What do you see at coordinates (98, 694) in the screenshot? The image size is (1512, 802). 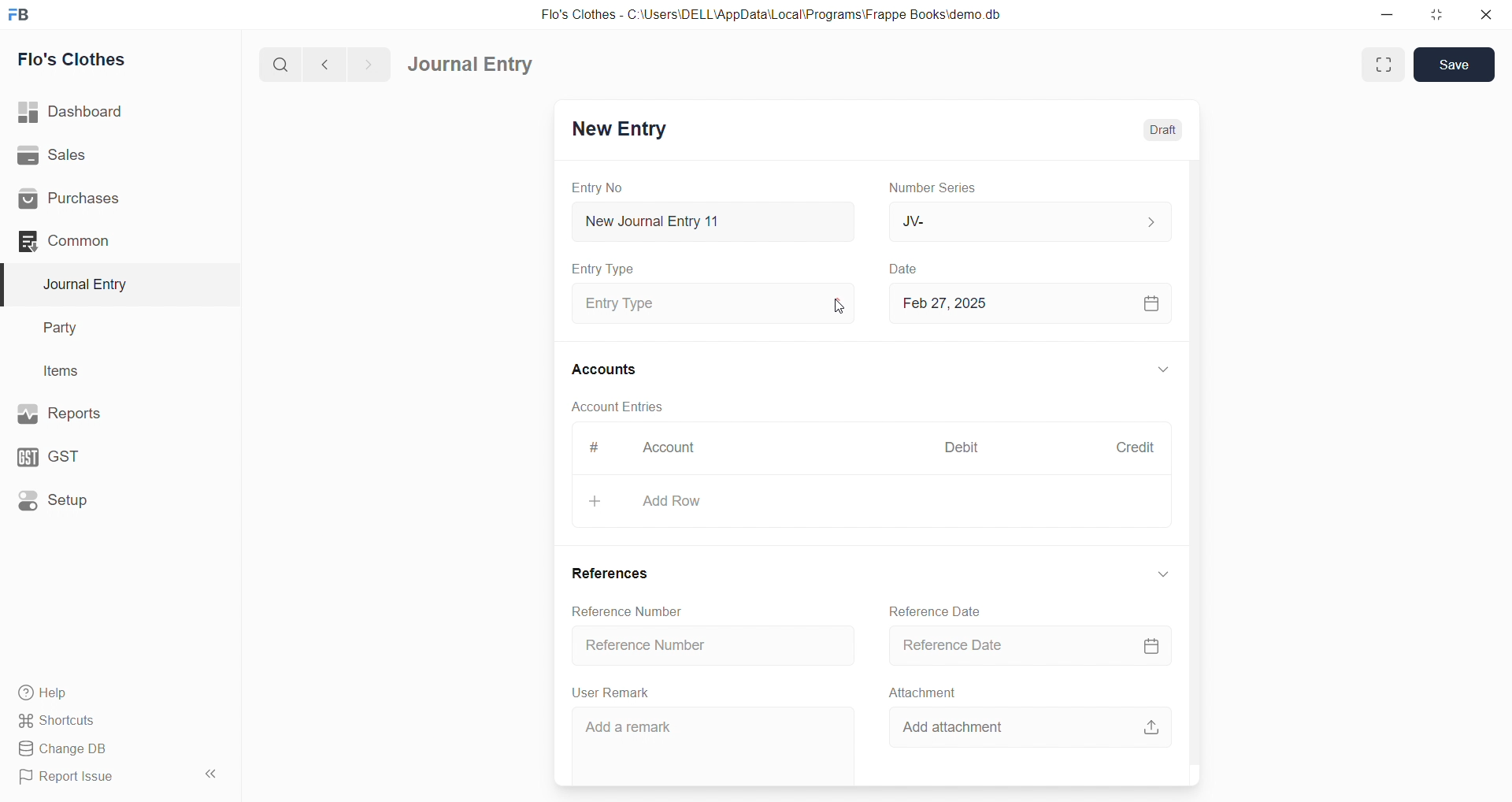 I see `Help` at bounding box center [98, 694].